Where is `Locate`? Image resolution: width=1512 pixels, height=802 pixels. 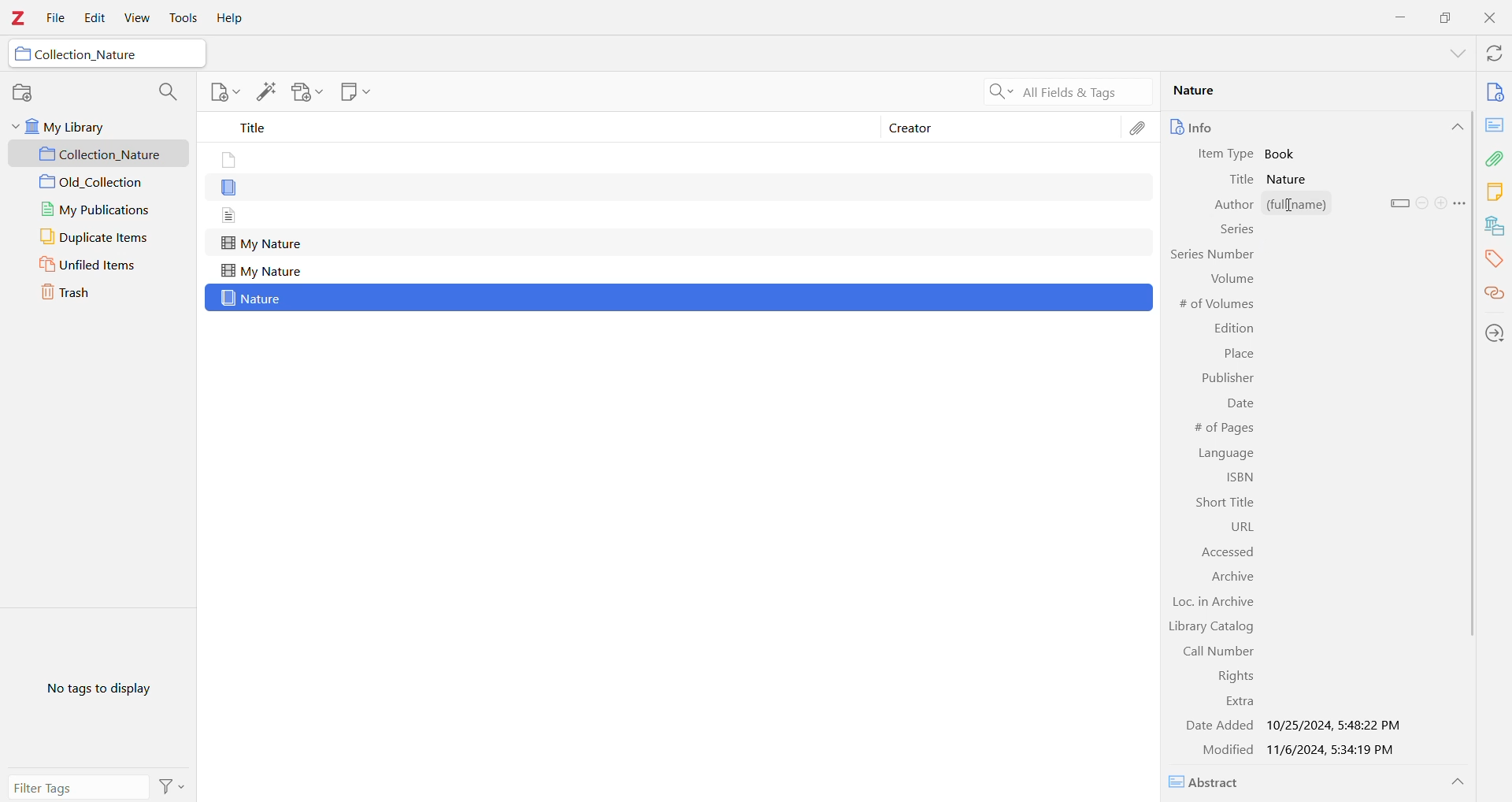 Locate is located at coordinates (1495, 334).